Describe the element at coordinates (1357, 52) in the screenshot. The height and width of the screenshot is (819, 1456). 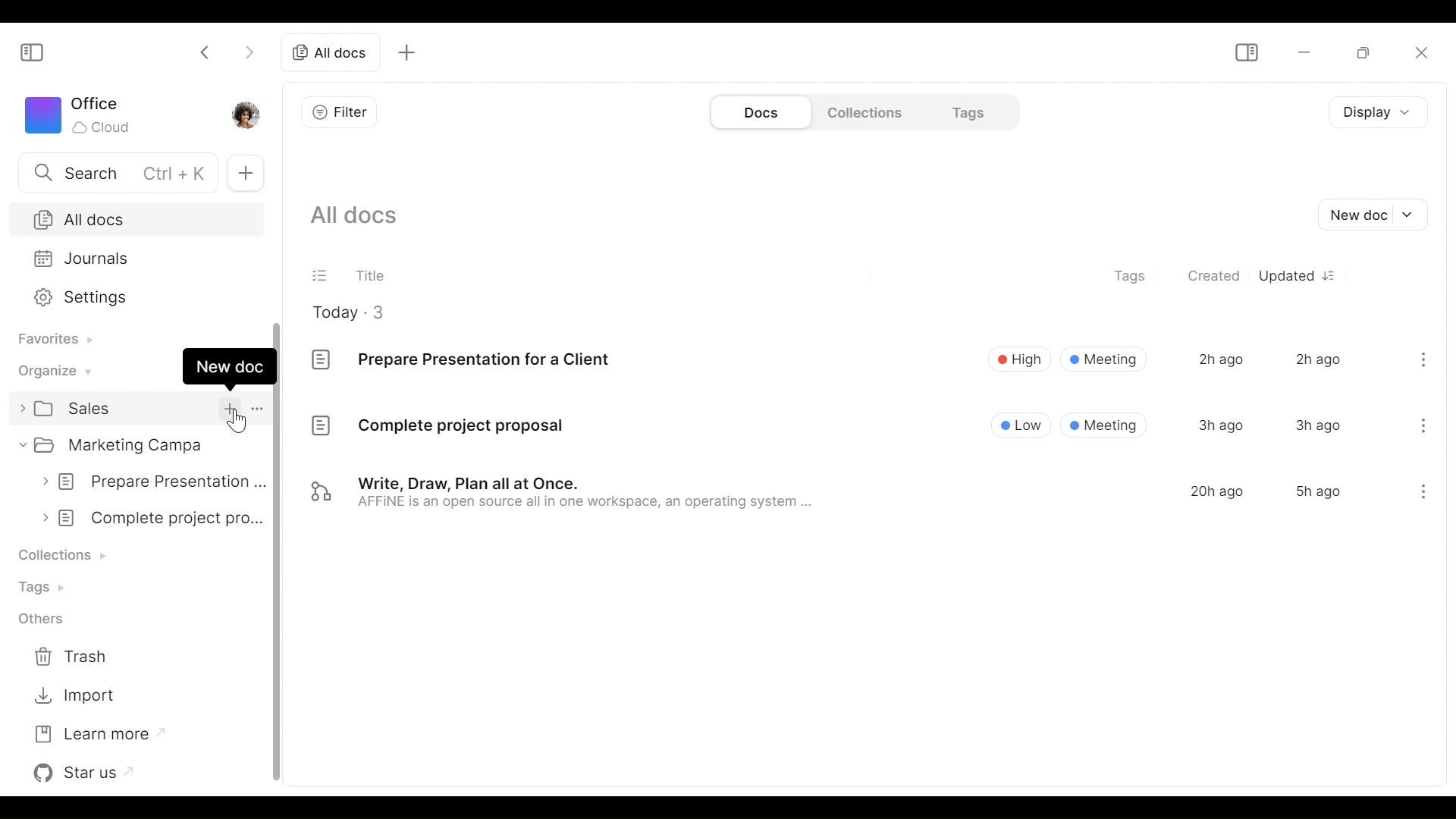
I see `Restore` at that location.